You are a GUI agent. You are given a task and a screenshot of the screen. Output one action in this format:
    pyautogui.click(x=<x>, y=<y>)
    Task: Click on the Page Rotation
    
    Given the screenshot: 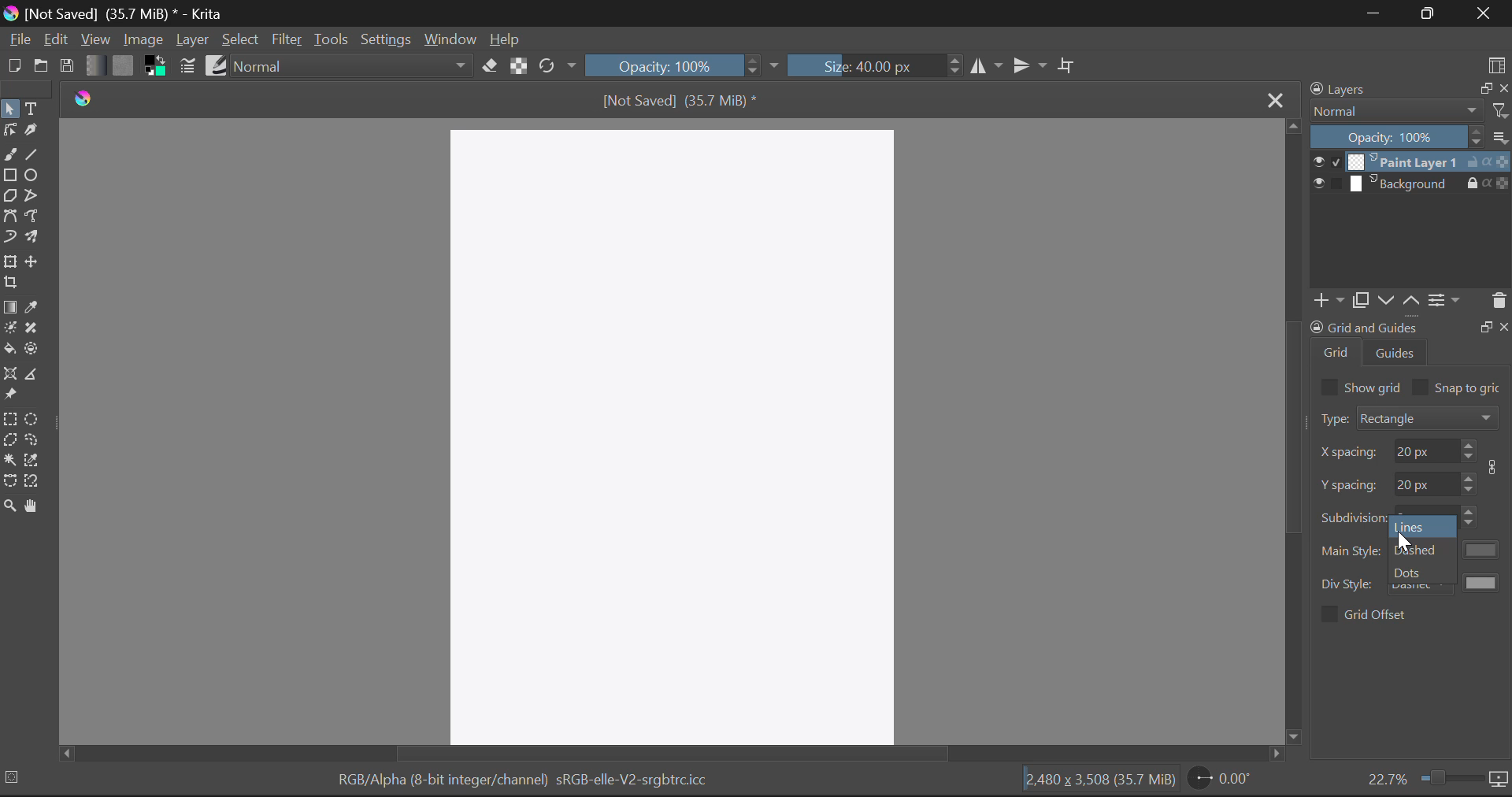 What is the action you would take?
    pyautogui.click(x=1223, y=779)
    